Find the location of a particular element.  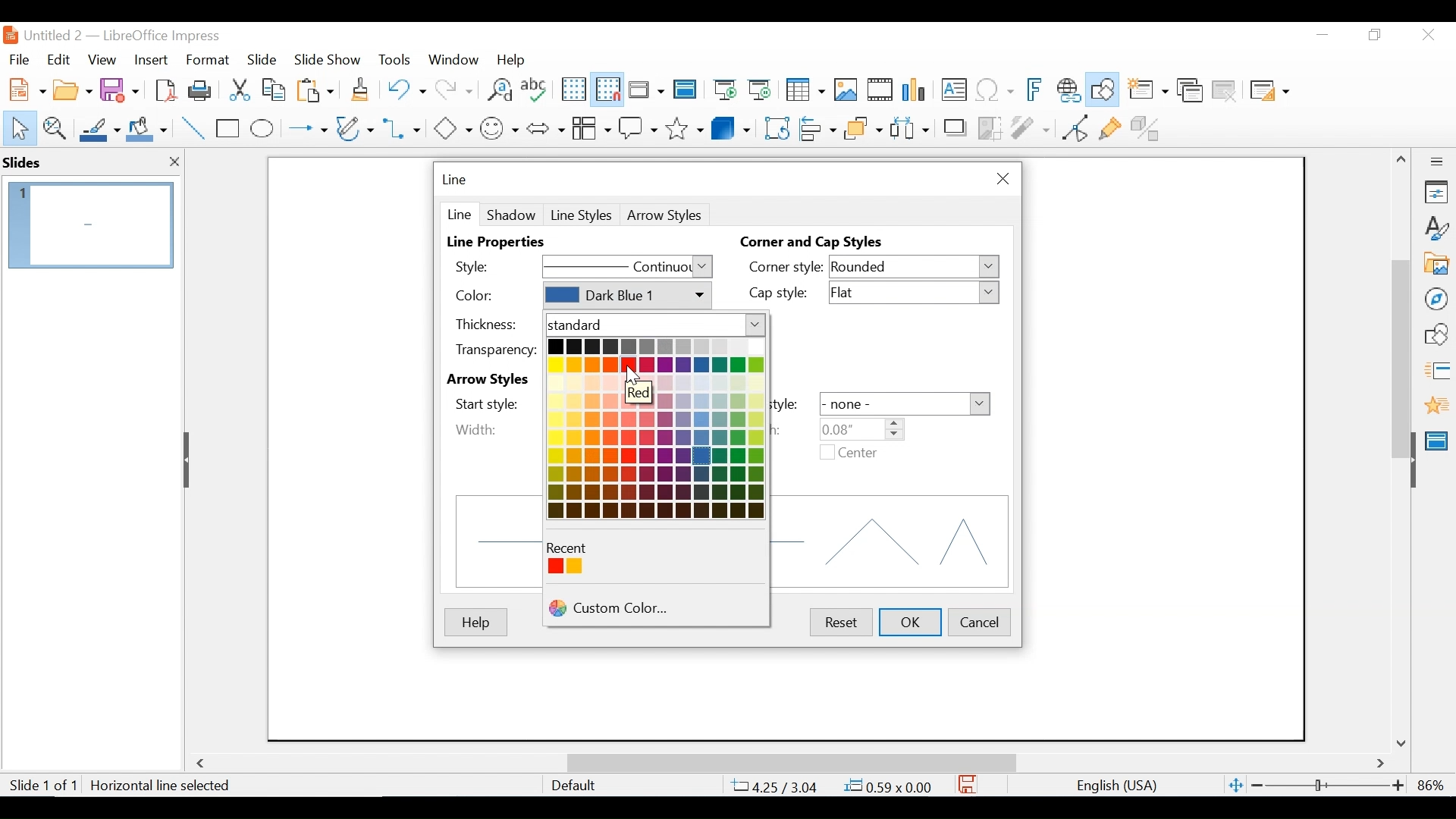

Navigator is located at coordinates (1436, 298).